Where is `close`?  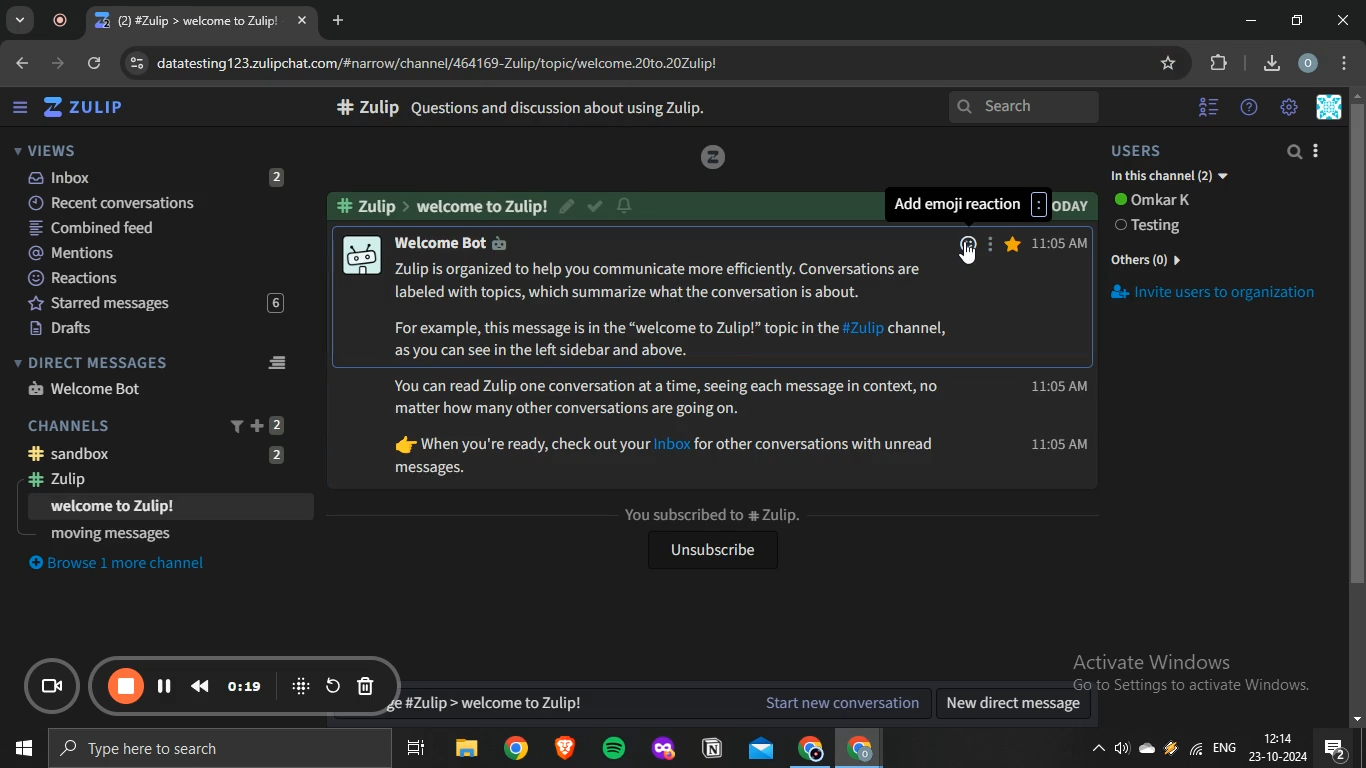
close is located at coordinates (1346, 20).